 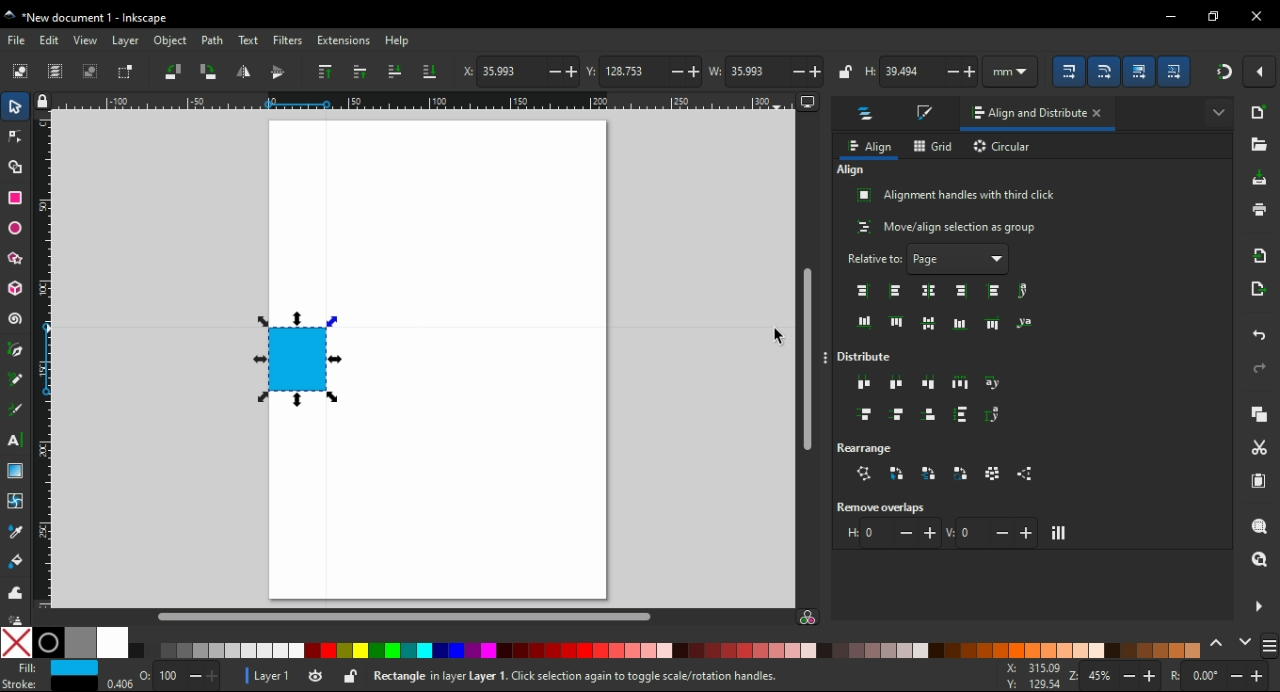 I want to click on fill and stroke, so click(x=923, y=114).